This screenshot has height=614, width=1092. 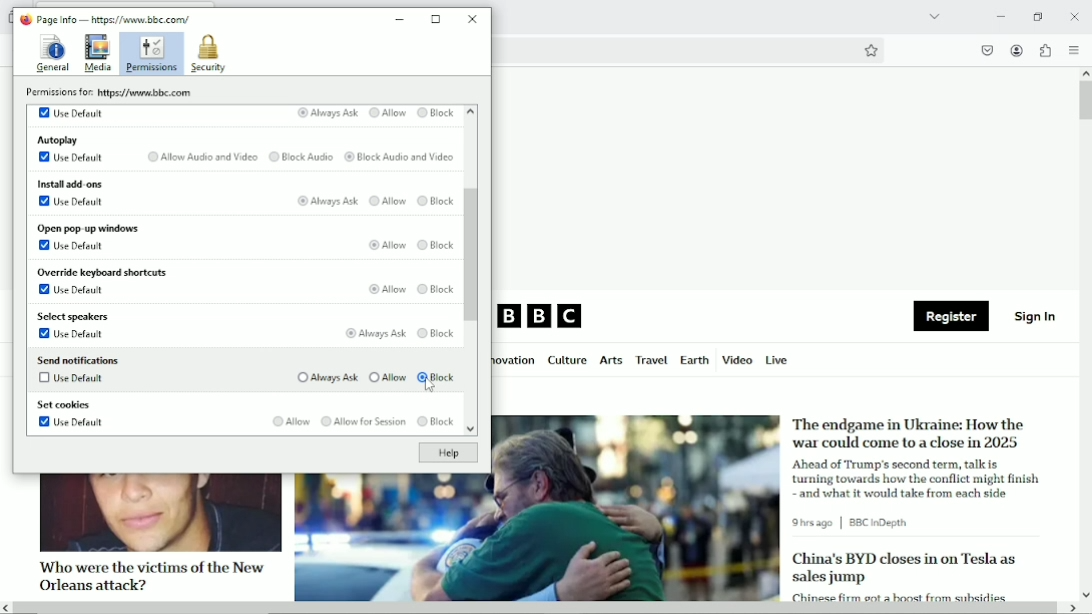 What do you see at coordinates (289, 421) in the screenshot?
I see `Allow` at bounding box center [289, 421].